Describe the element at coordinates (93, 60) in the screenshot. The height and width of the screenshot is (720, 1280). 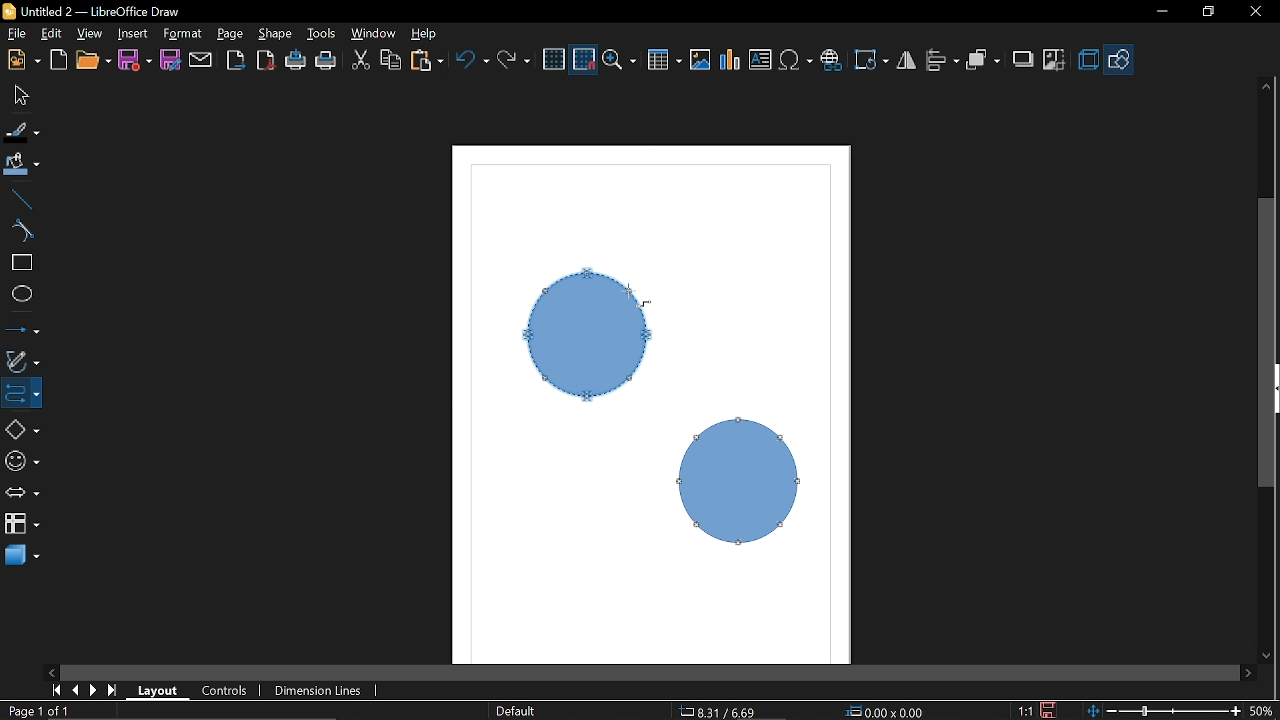
I see `Open` at that location.